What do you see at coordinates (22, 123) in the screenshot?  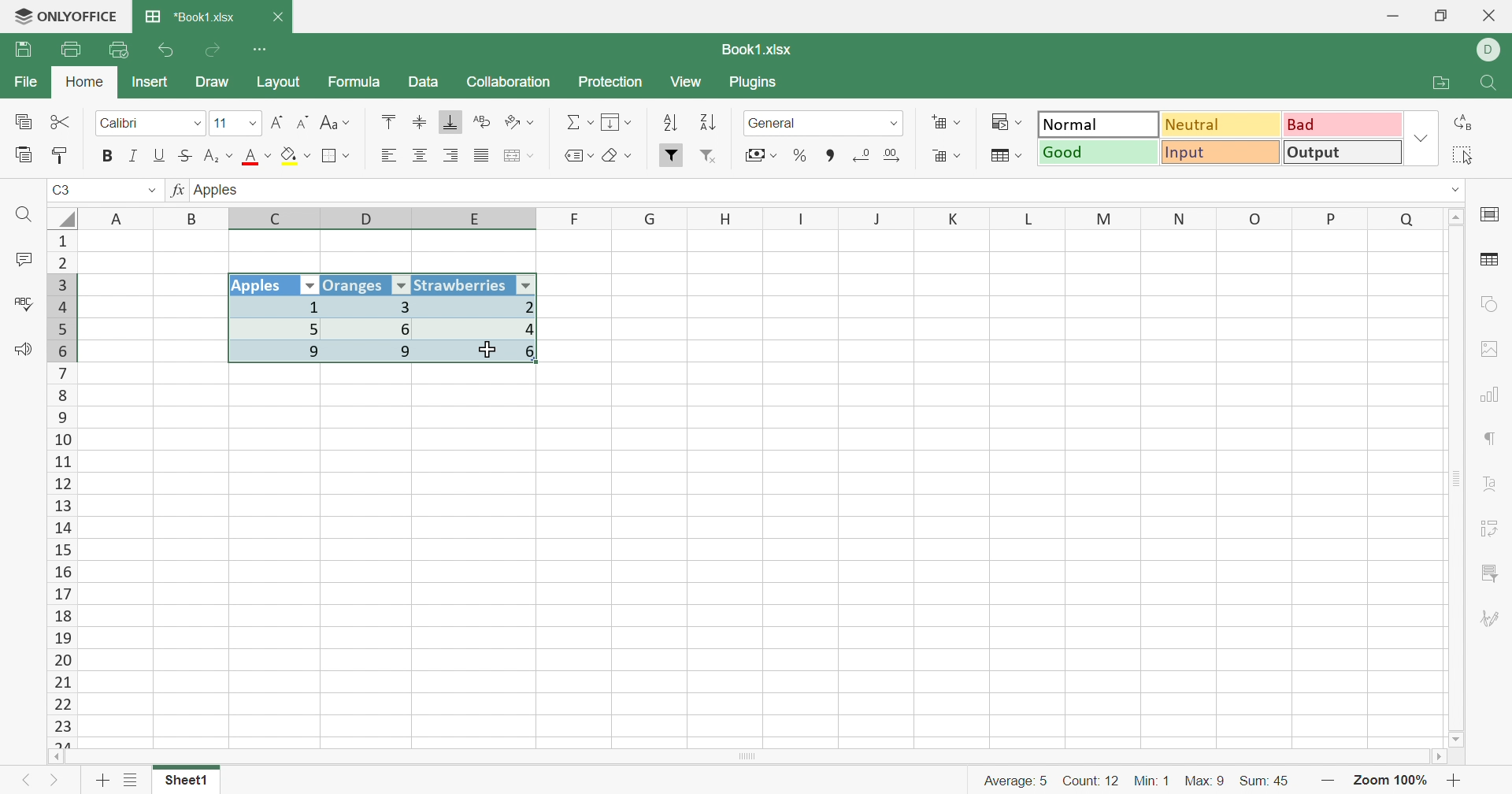 I see `Copy` at bounding box center [22, 123].